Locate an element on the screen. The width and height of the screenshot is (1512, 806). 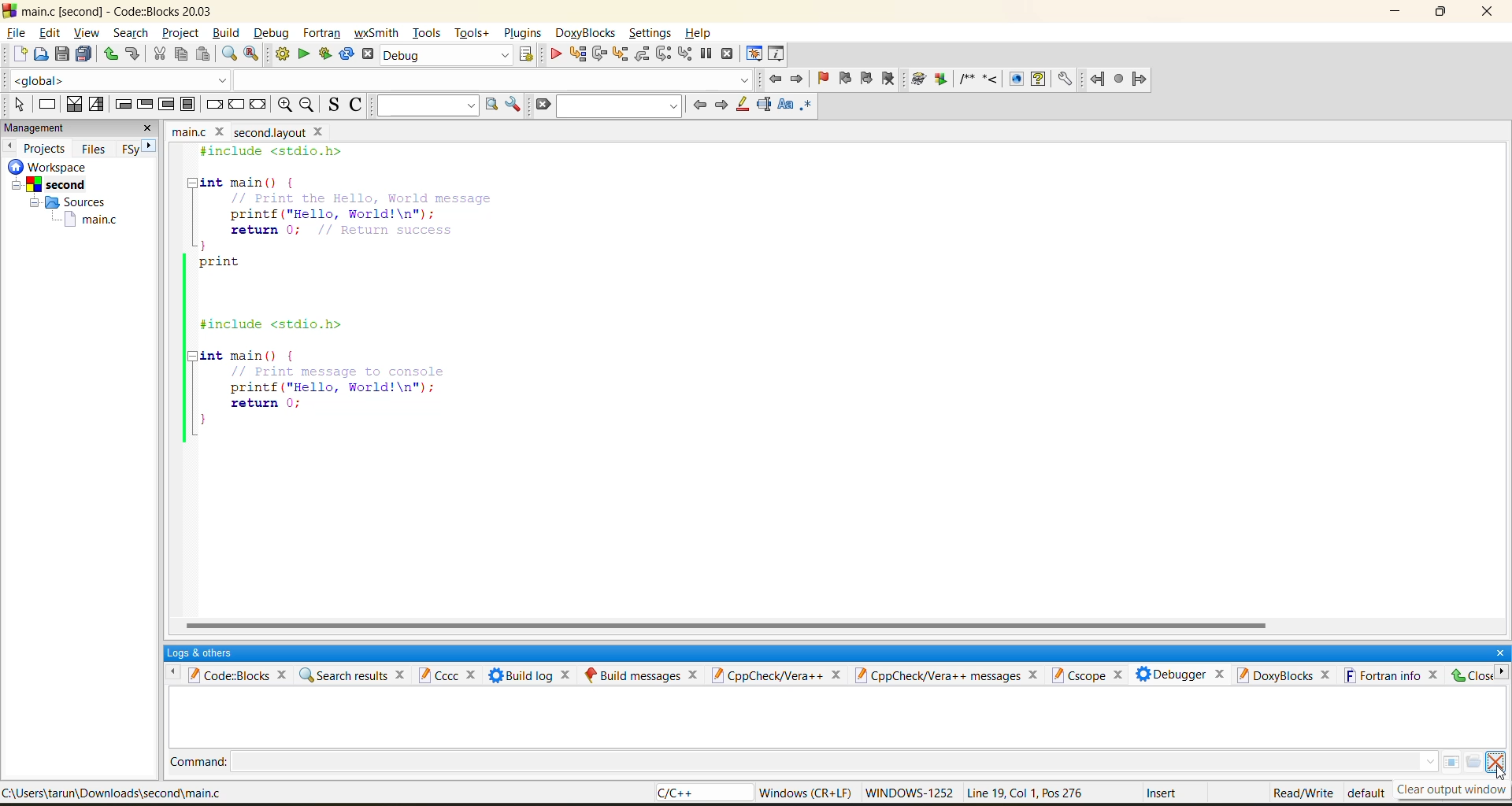
open is located at coordinates (40, 54).